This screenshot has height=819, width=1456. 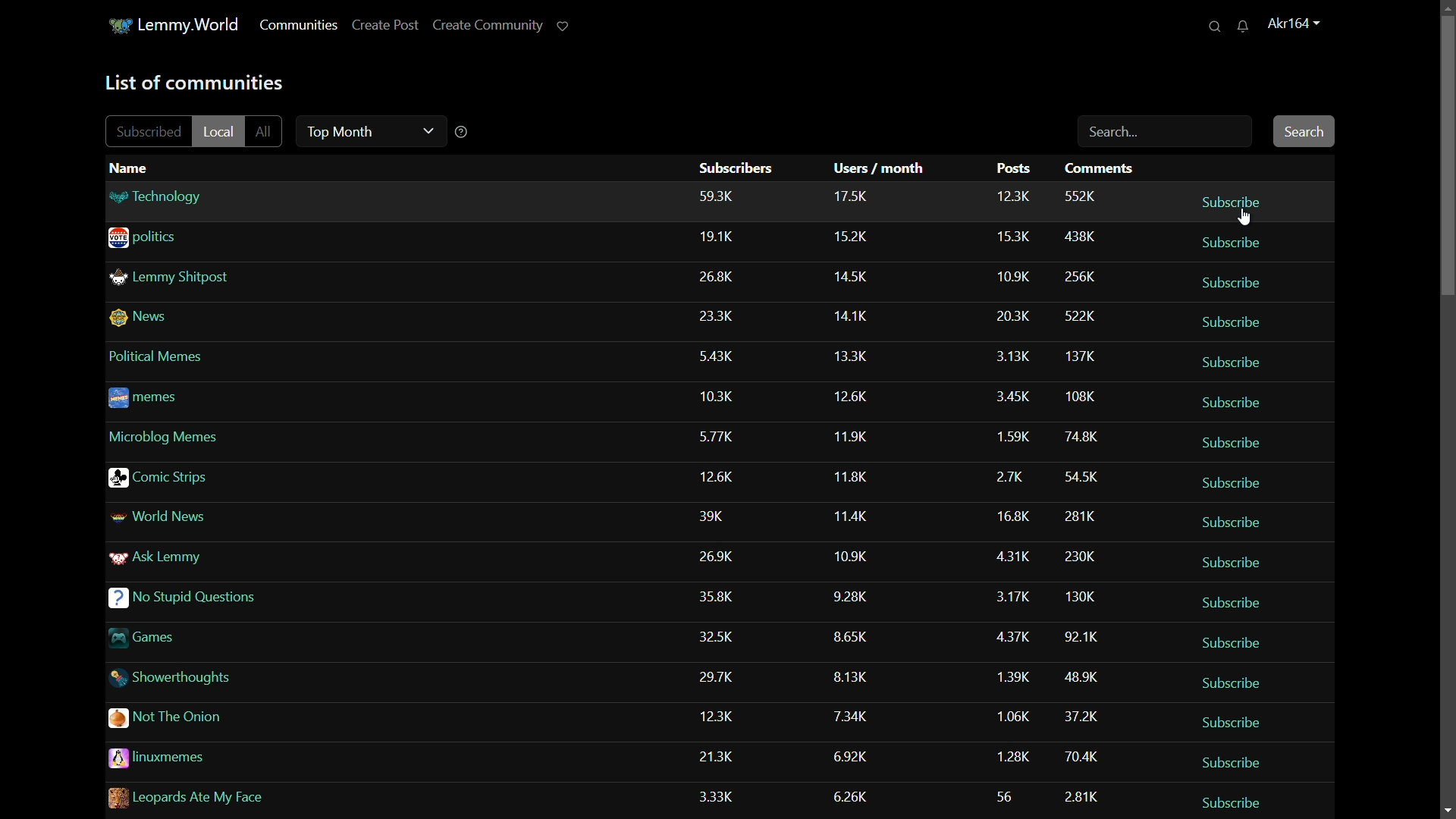 What do you see at coordinates (1016, 237) in the screenshot?
I see `posts` at bounding box center [1016, 237].